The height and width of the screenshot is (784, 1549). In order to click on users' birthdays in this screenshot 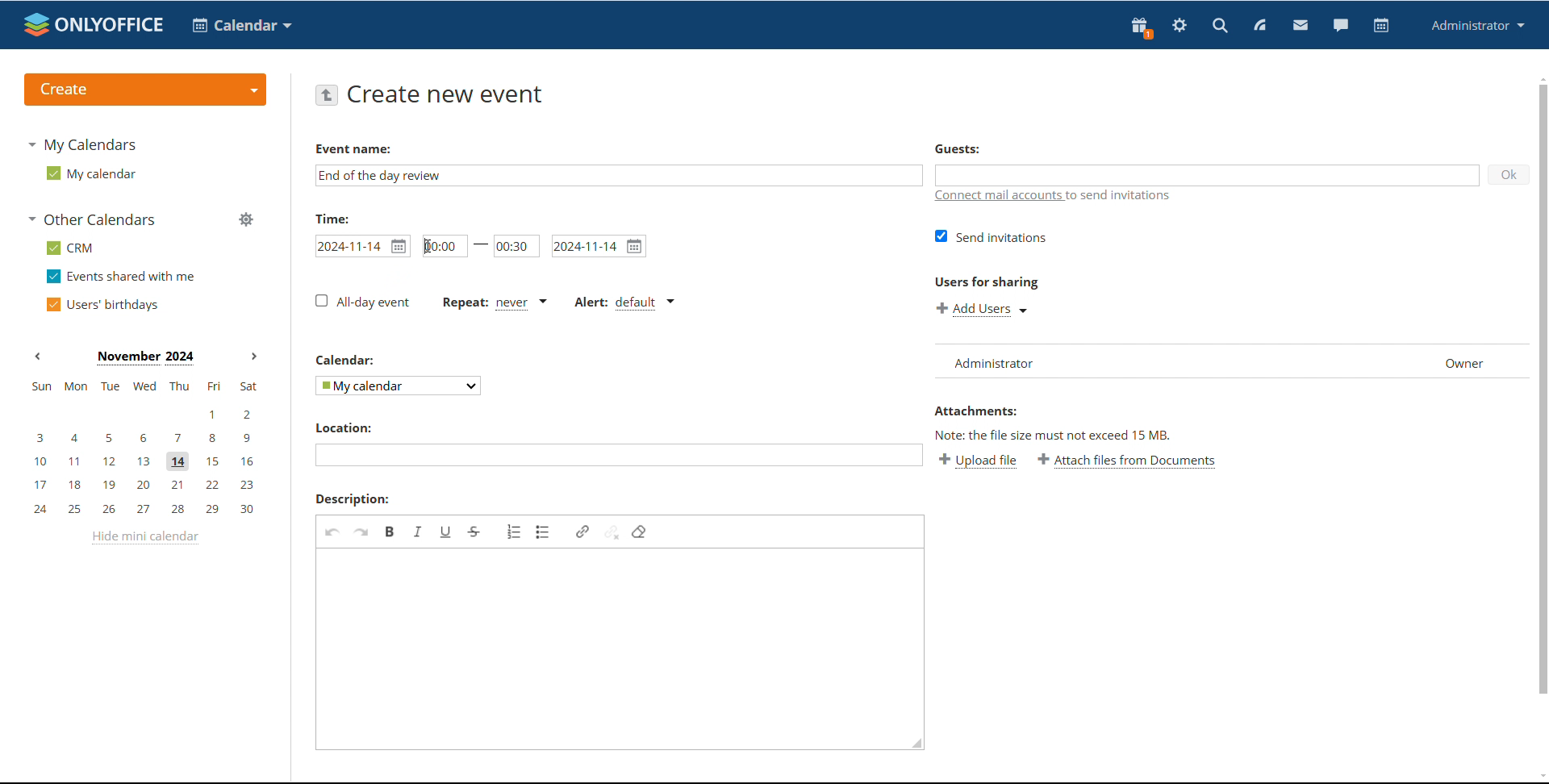, I will do `click(101, 305)`.